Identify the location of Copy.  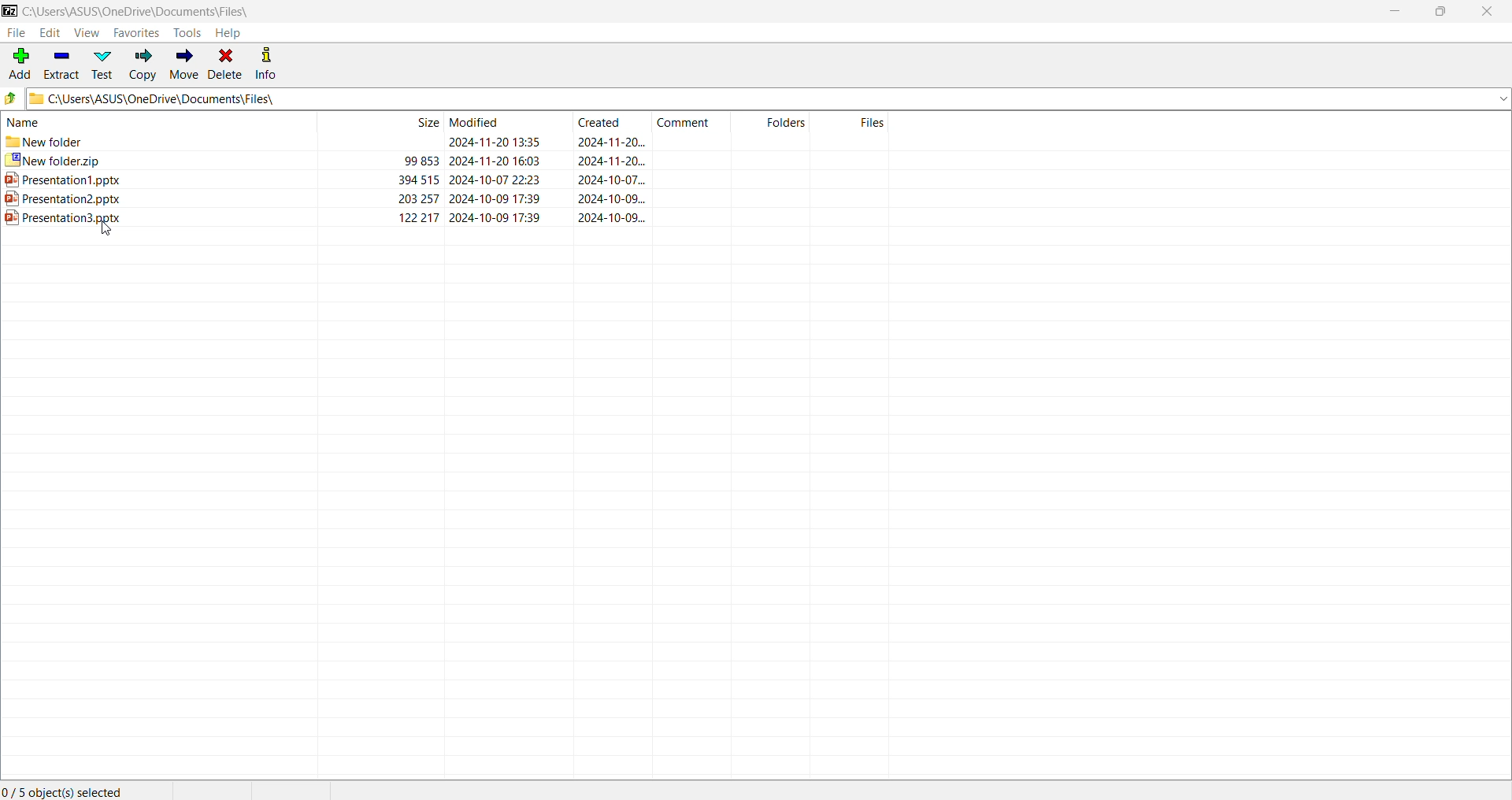
(143, 65).